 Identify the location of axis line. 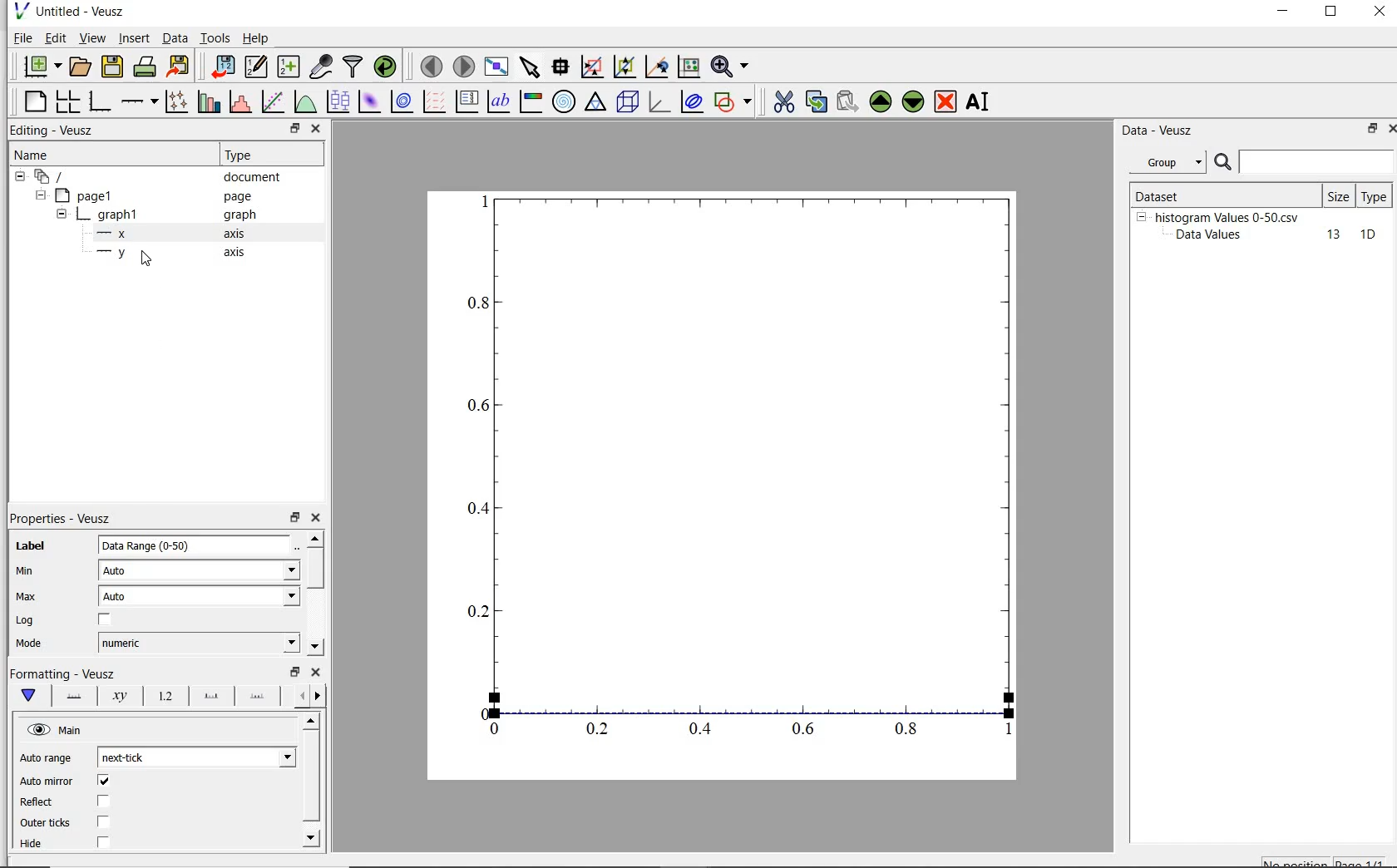
(73, 696).